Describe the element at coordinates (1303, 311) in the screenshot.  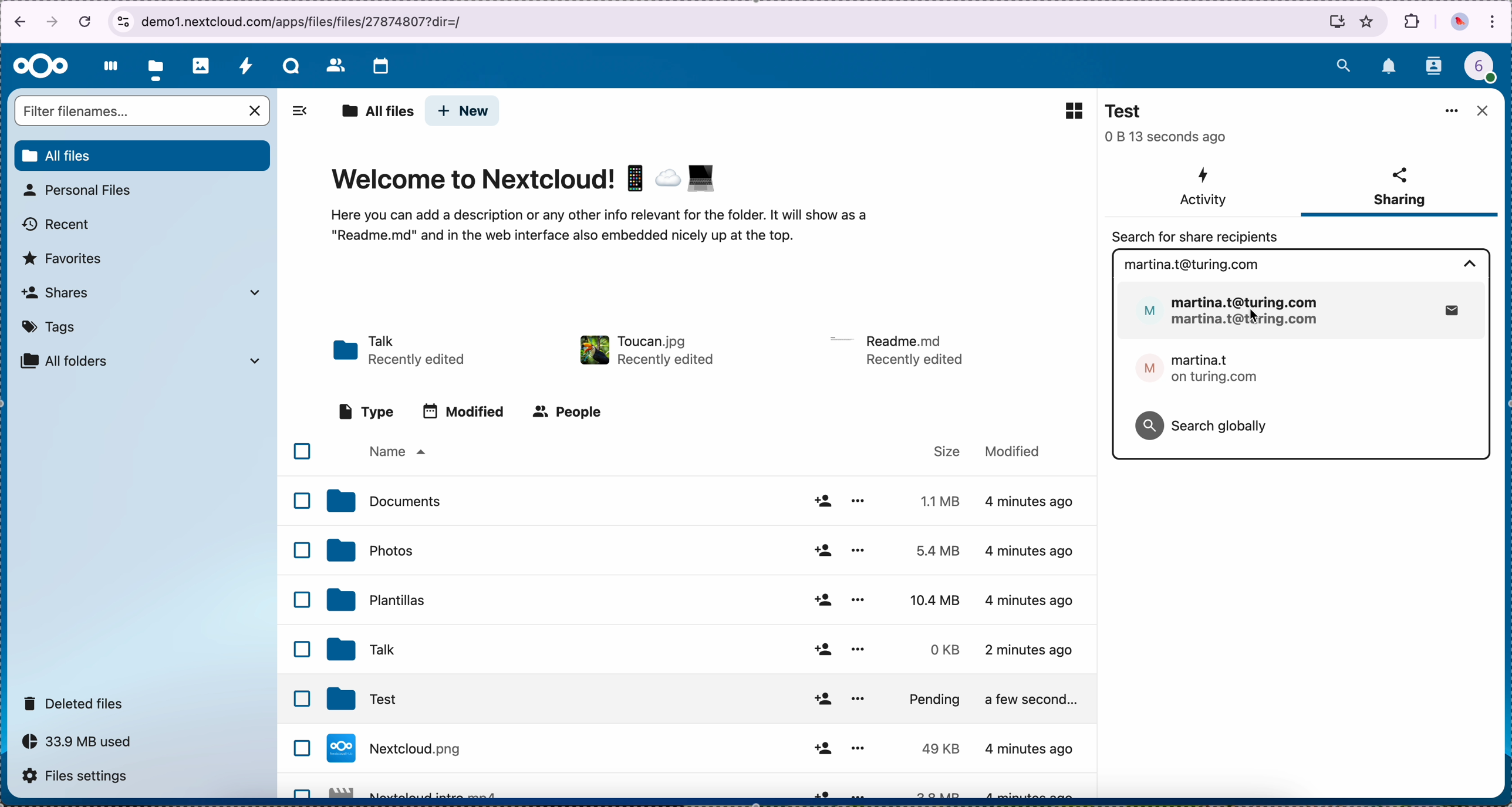
I see `mail` at that location.